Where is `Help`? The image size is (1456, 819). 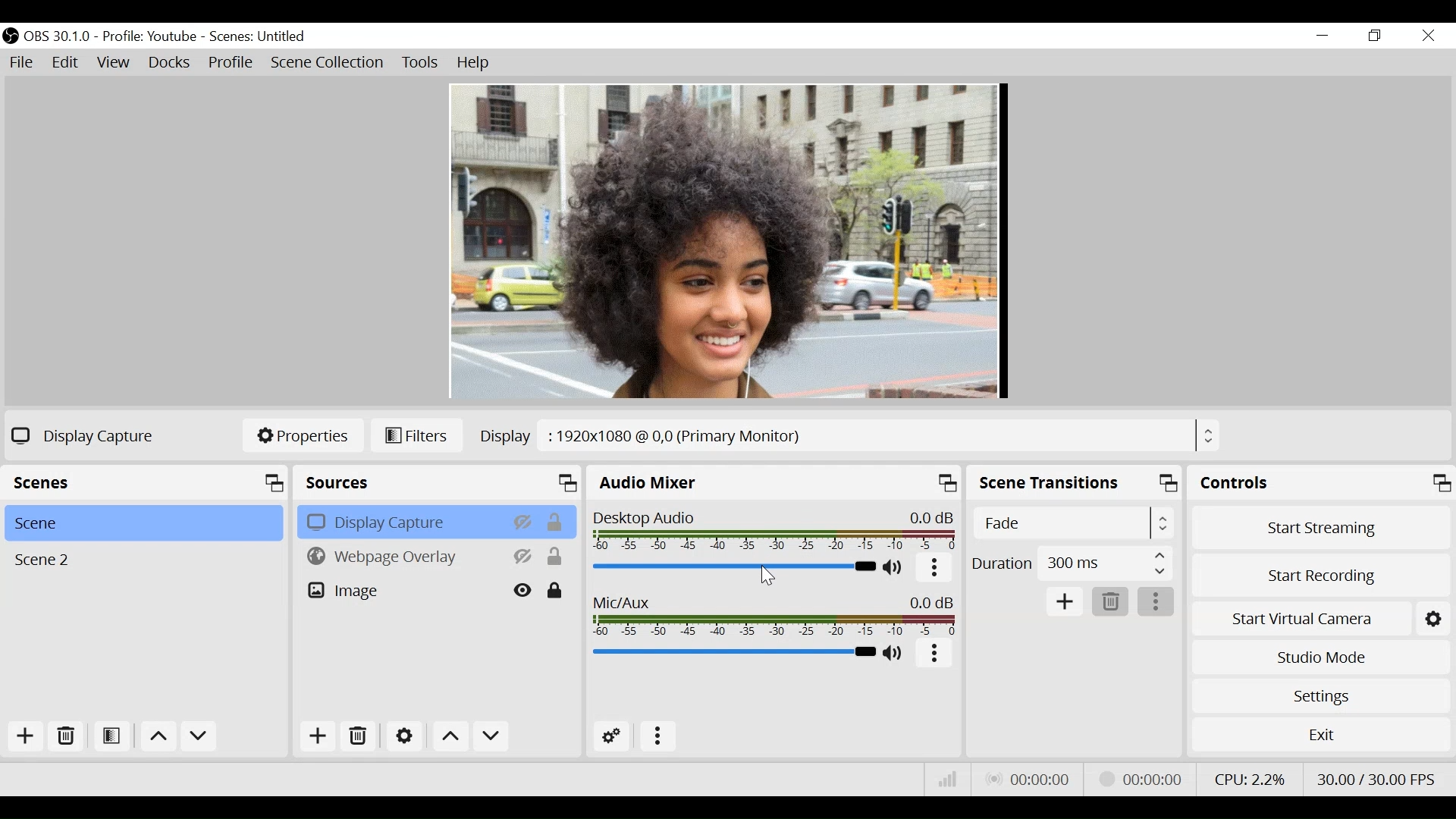
Help is located at coordinates (474, 63).